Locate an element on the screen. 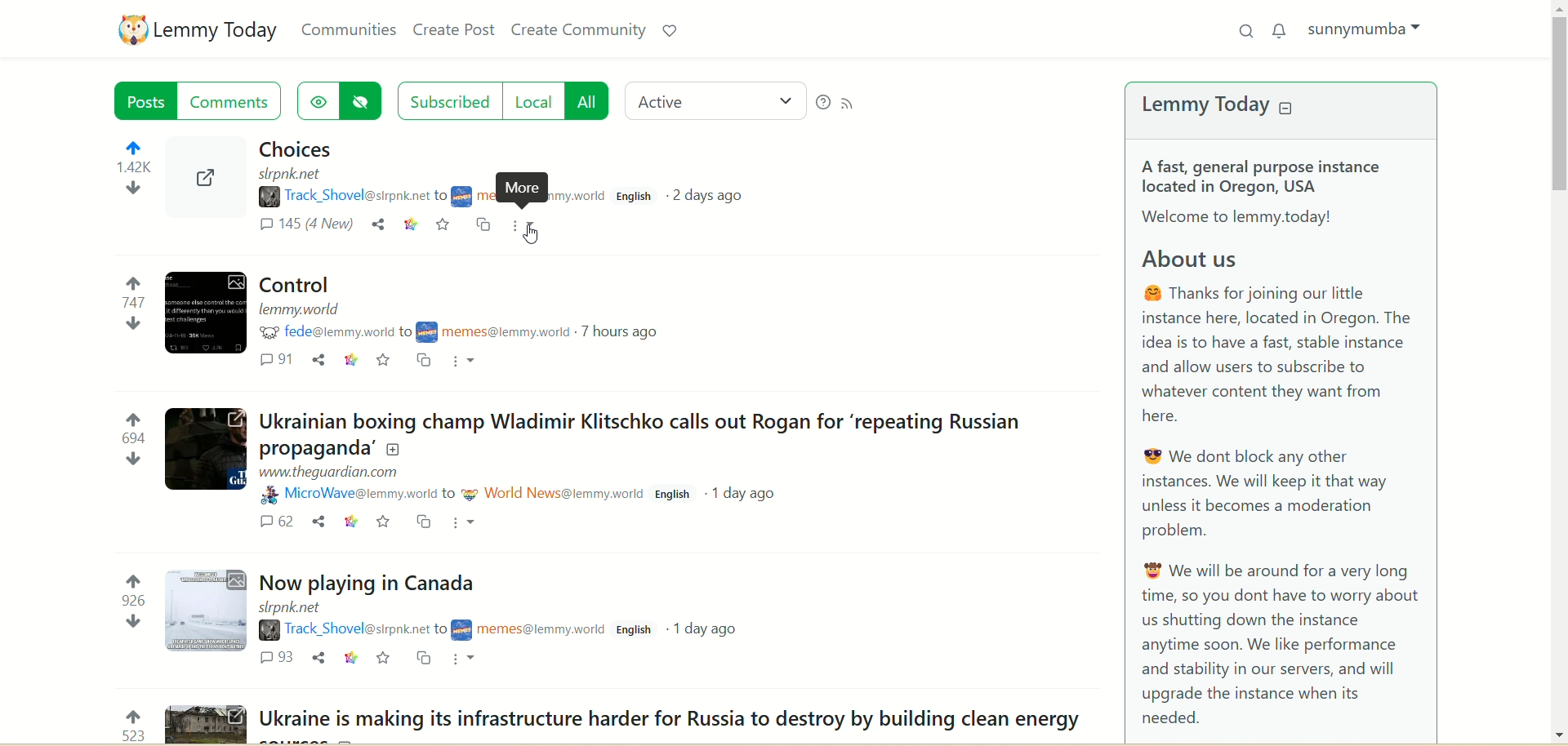 This screenshot has width=1568, height=746. comments is located at coordinates (278, 658).